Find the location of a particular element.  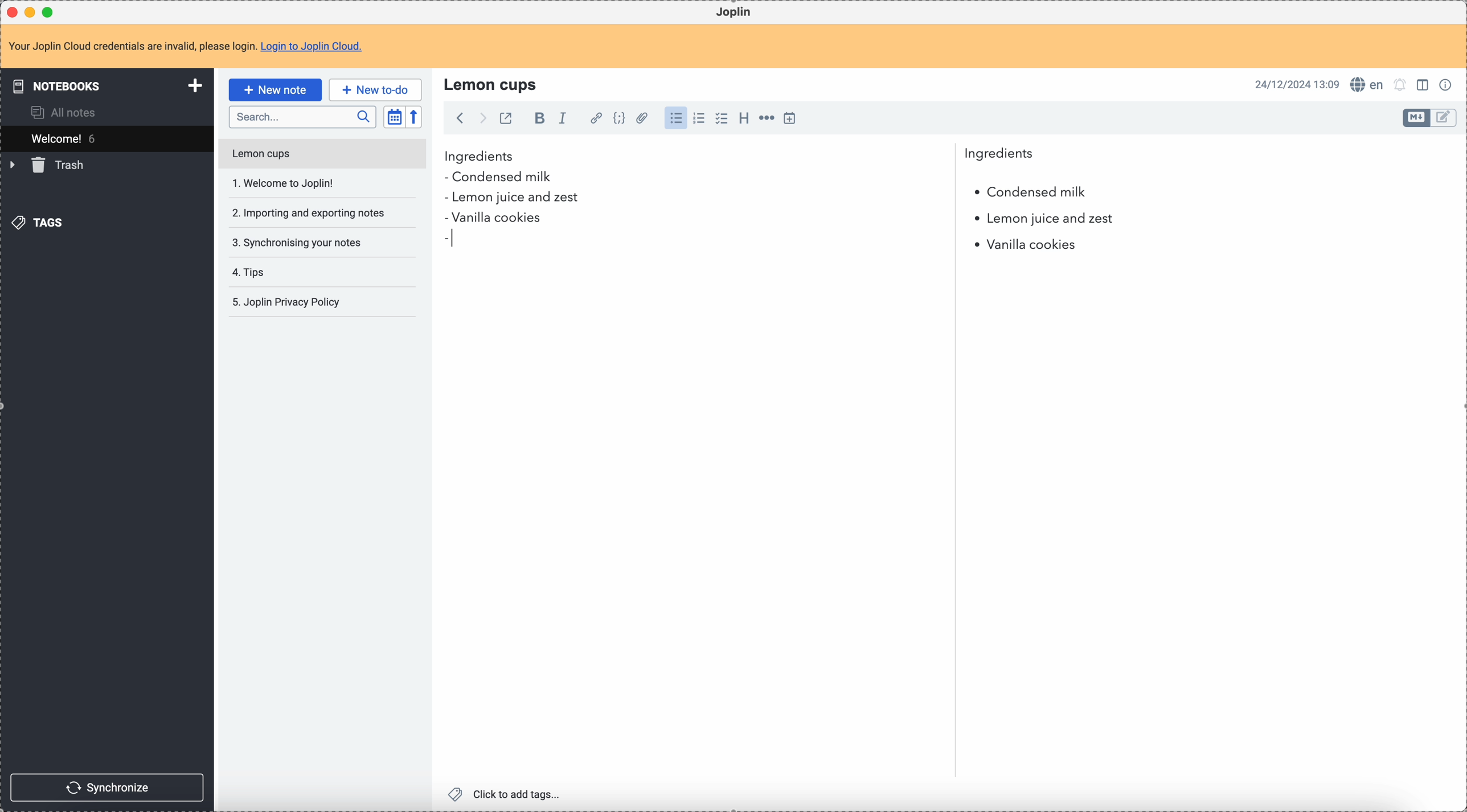

condensed milk is located at coordinates (502, 178).